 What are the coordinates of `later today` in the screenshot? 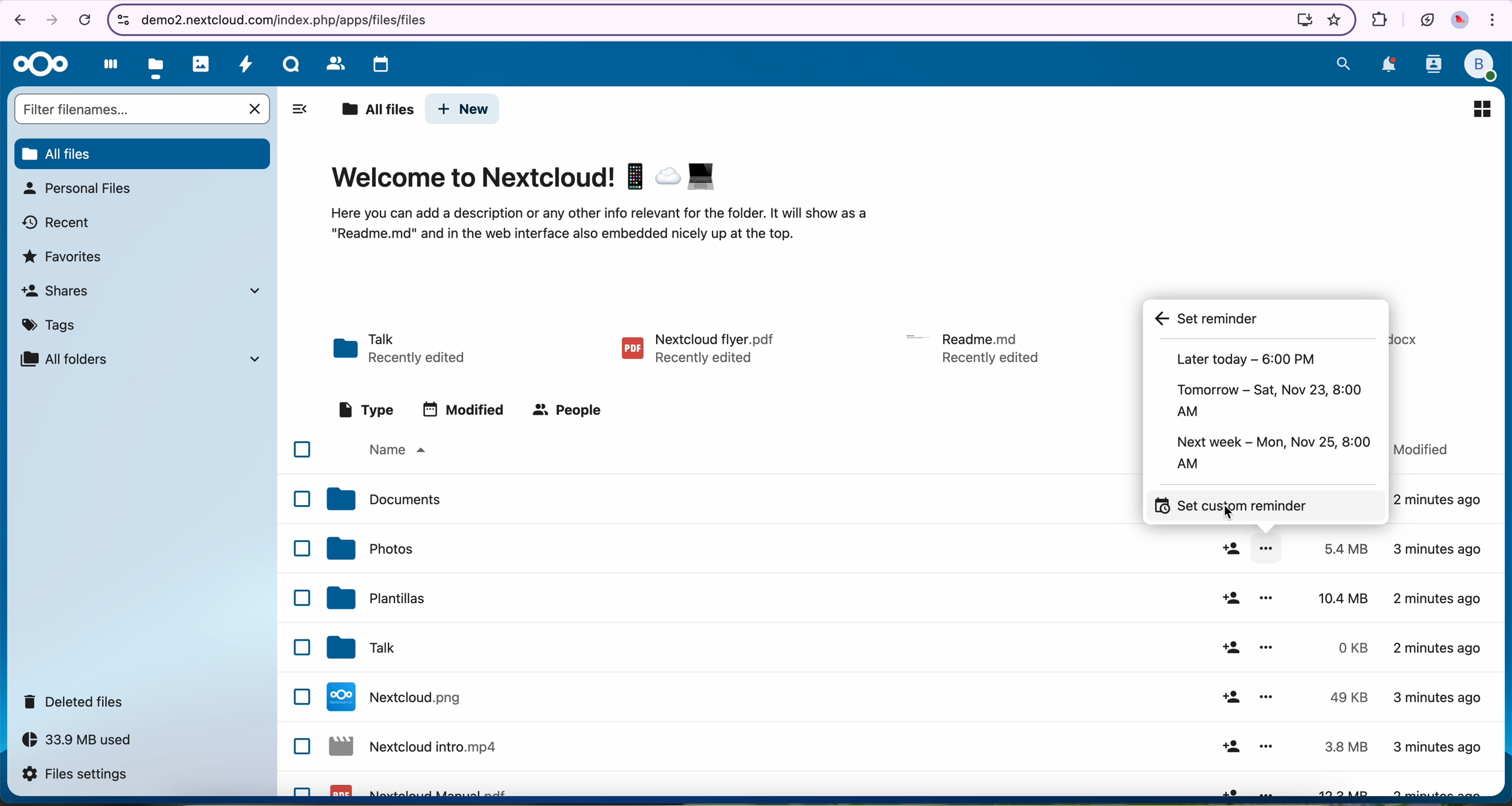 It's located at (1249, 359).